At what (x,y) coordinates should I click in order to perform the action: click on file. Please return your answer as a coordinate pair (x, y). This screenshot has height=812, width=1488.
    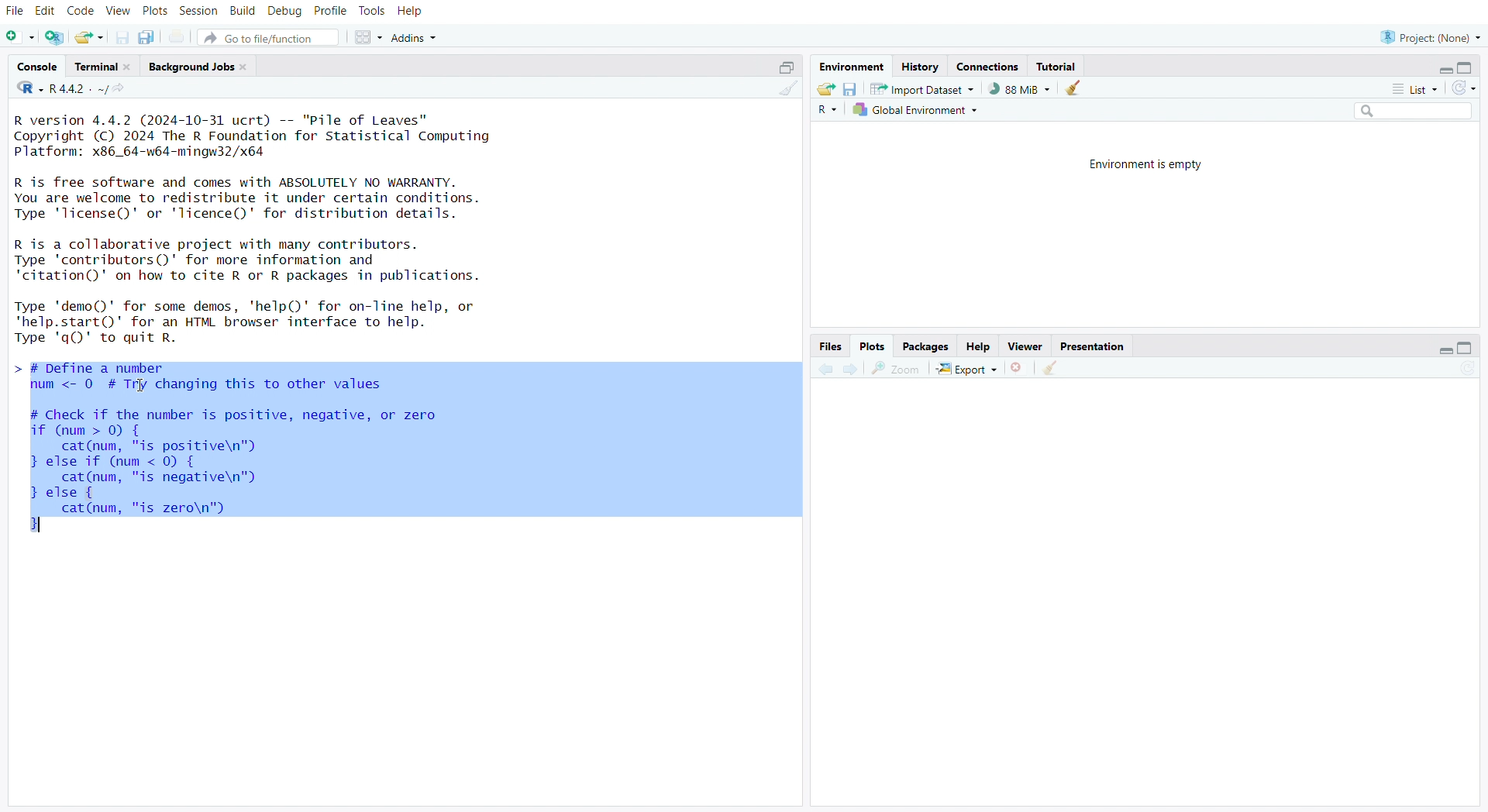
    Looking at the image, I should click on (15, 12).